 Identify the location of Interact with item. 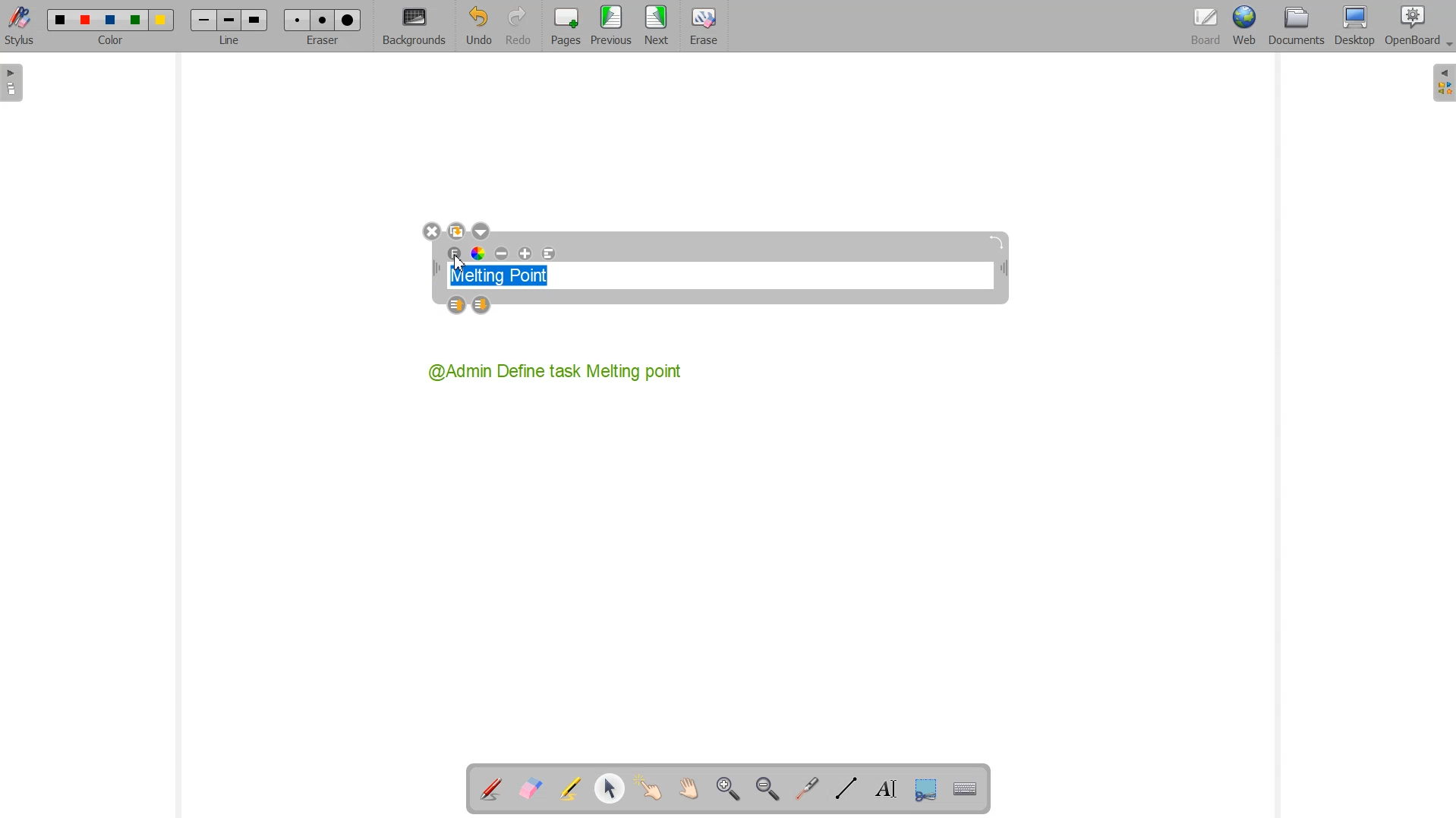
(648, 789).